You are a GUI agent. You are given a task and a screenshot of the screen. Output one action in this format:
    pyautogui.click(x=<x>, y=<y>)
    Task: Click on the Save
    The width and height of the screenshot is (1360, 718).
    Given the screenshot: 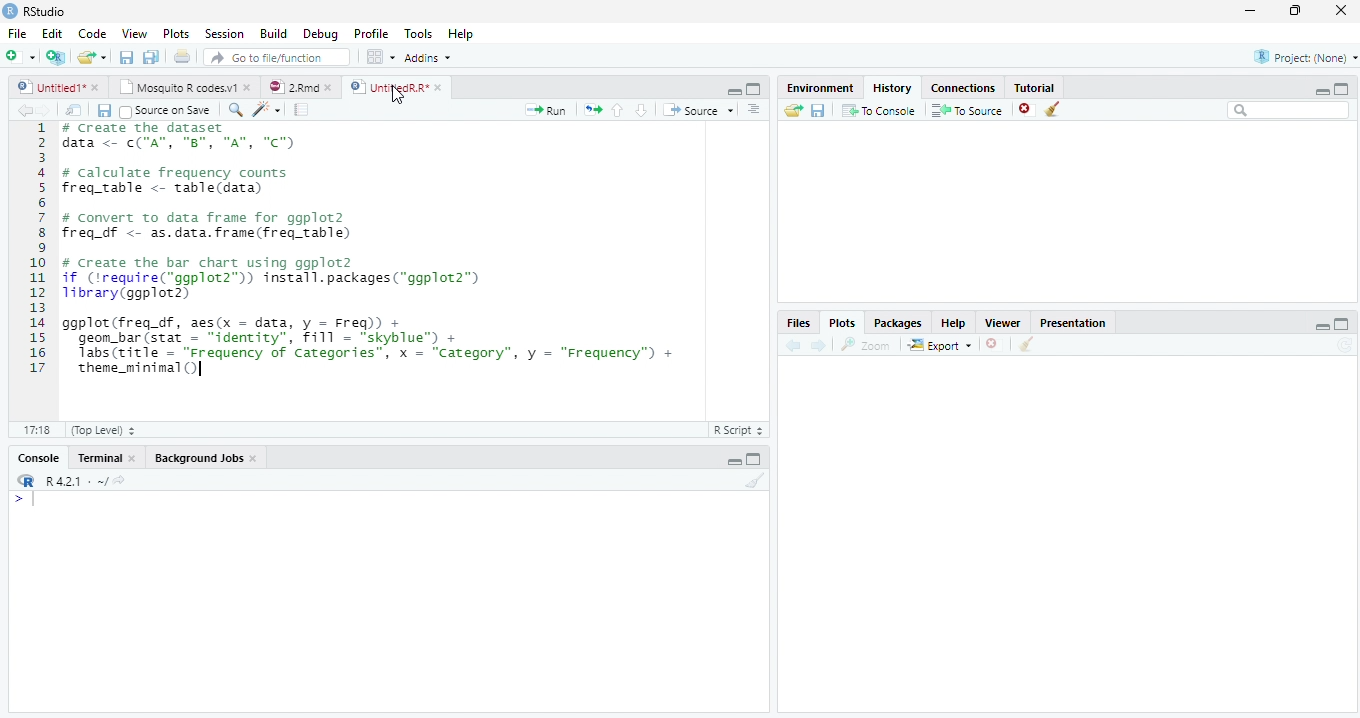 What is the action you would take?
    pyautogui.click(x=817, y=113)
    